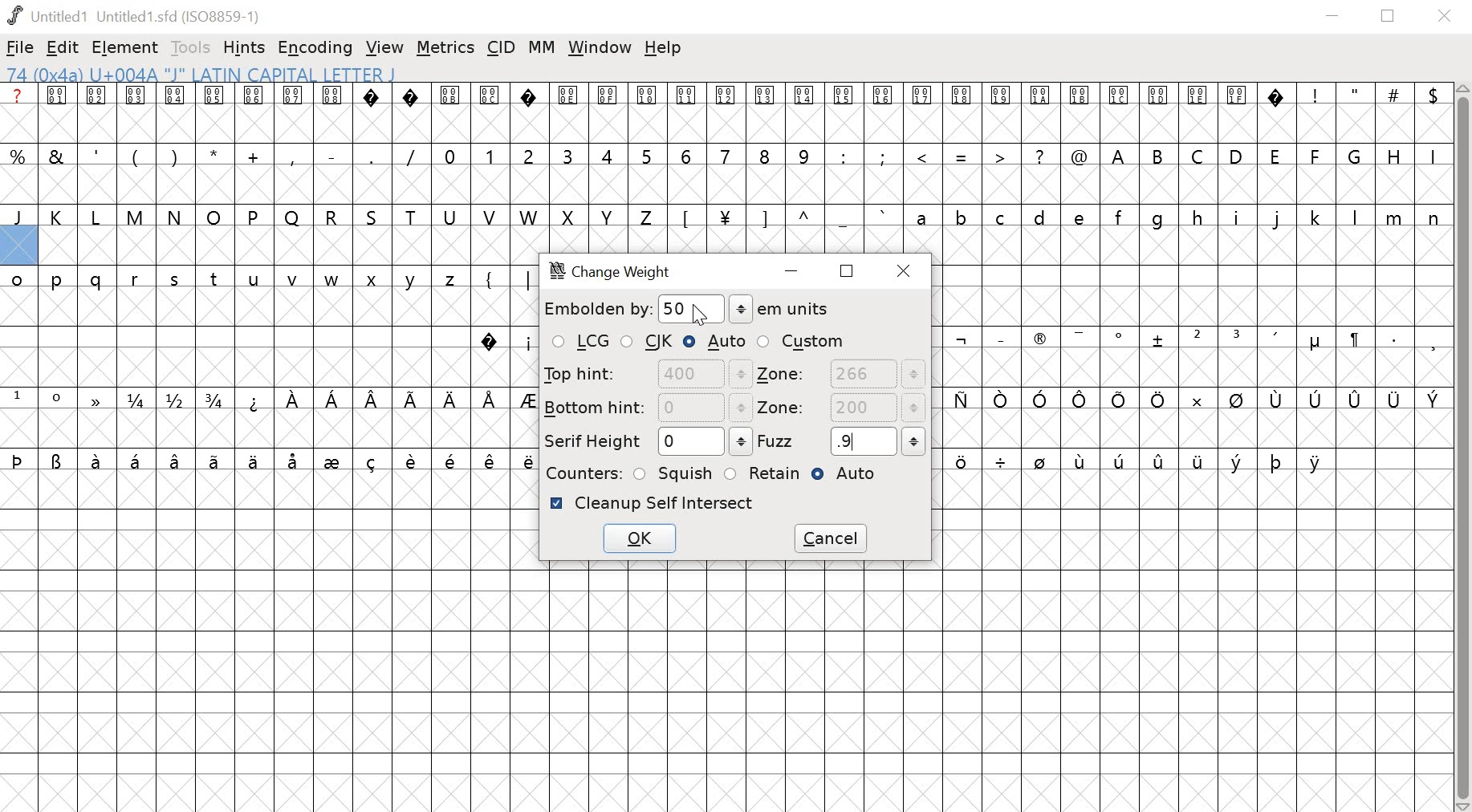 The height and width of the screenshot is (812, 1472). Describe the element at coordinates (653, 503) in the screenshot. I see `CLEANUP self intersect` at that location.